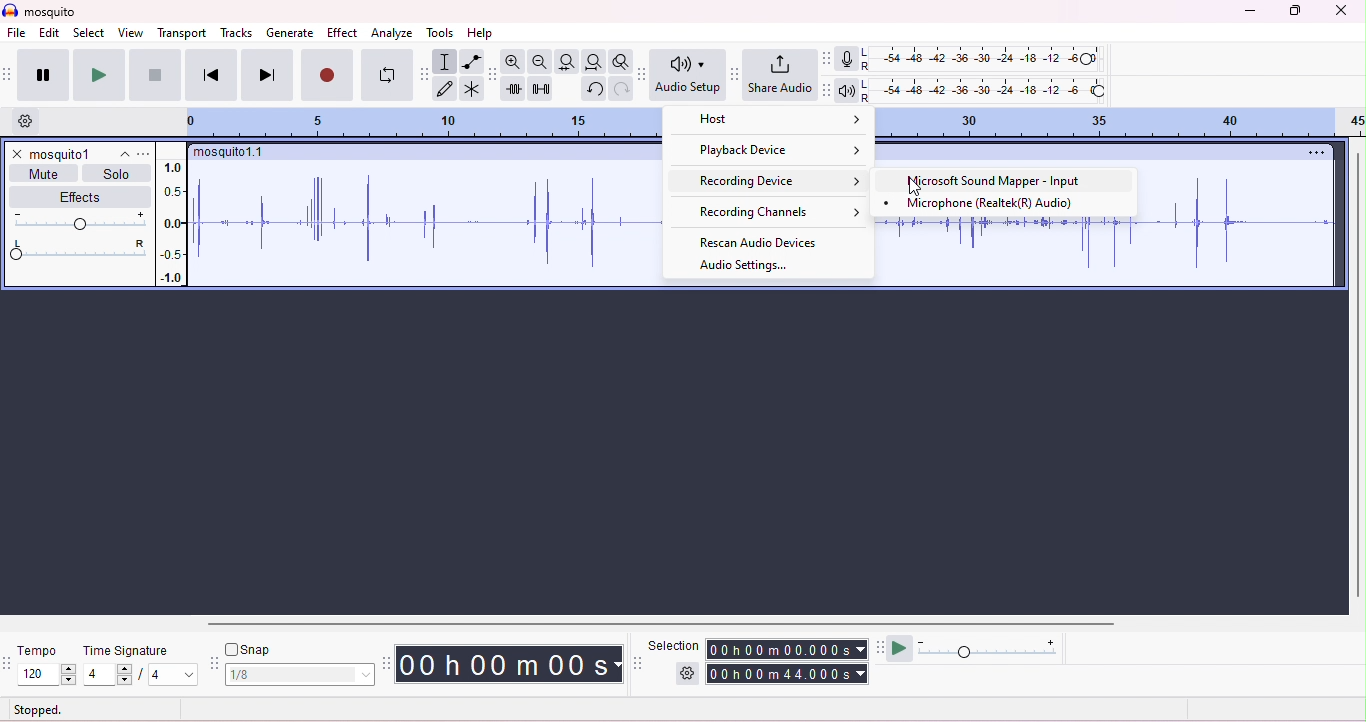  What do you see at coordinates (639, 663) in the screenshot?
I see `selection tool bar` at bounding box center [639, 663].